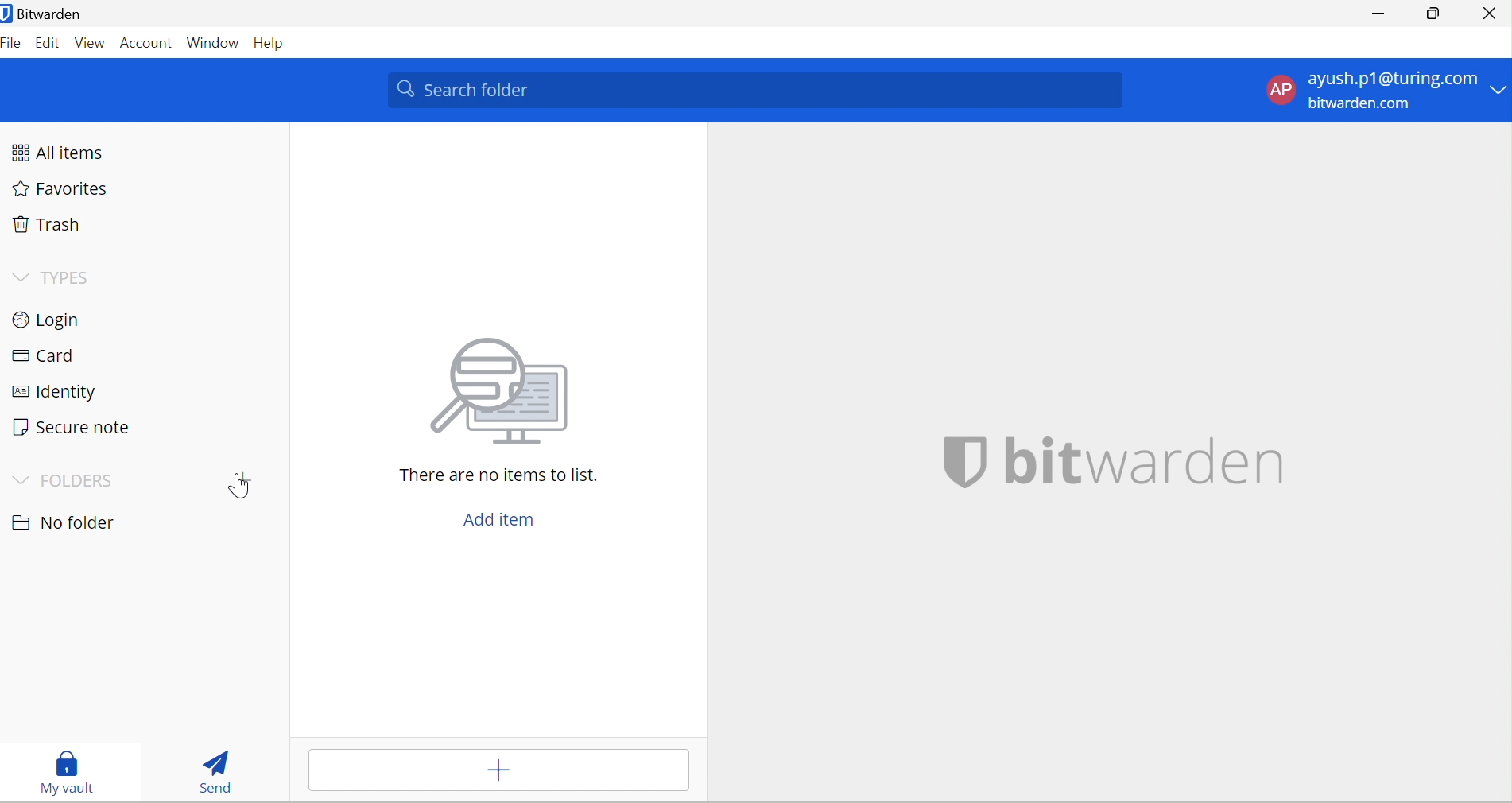  What do you see at coordinates (77, 428) in the screenshot?
I see `Secure note` at bounding box center [77, 428].